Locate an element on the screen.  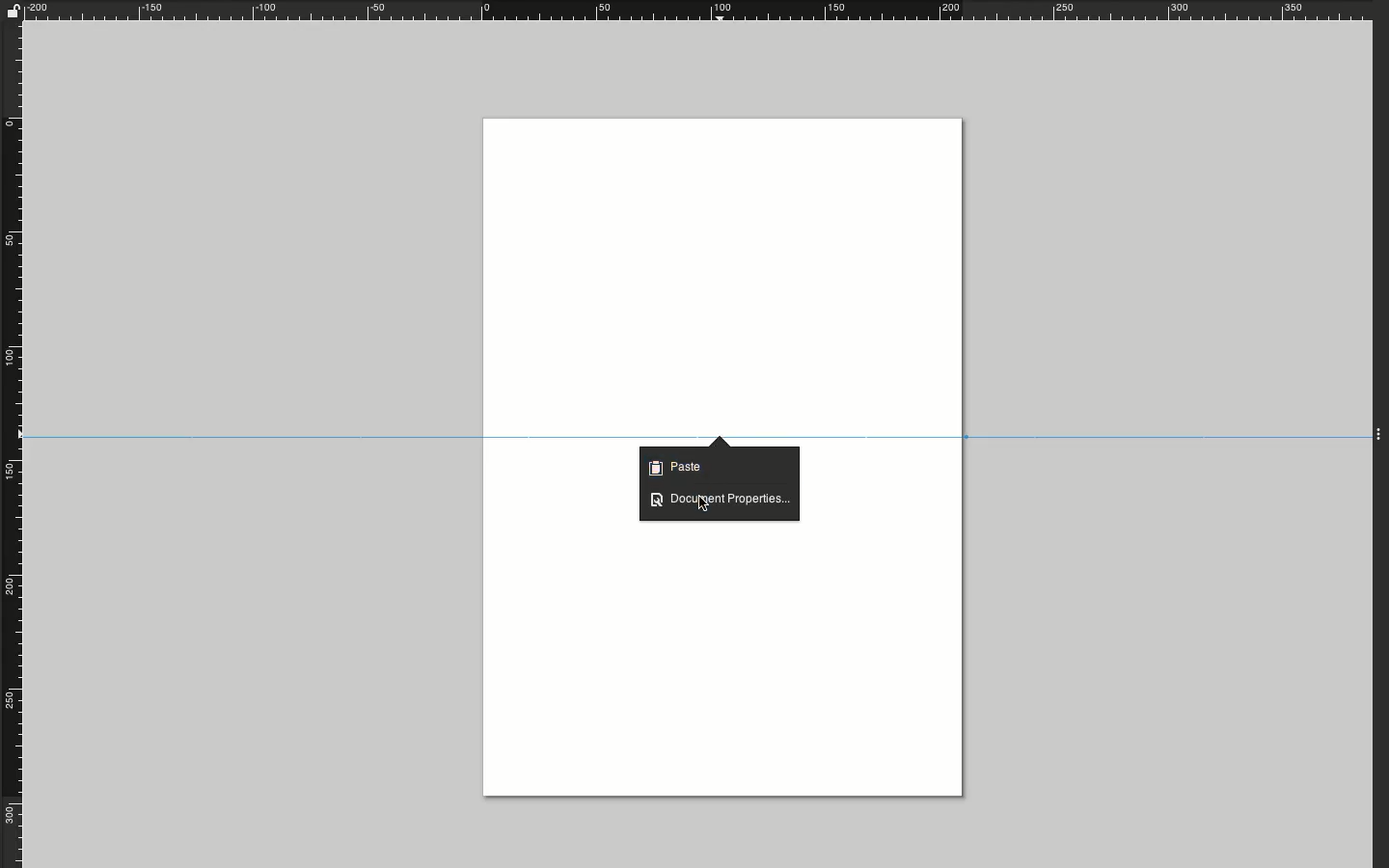
Rule is located at coordinates (13, 444).